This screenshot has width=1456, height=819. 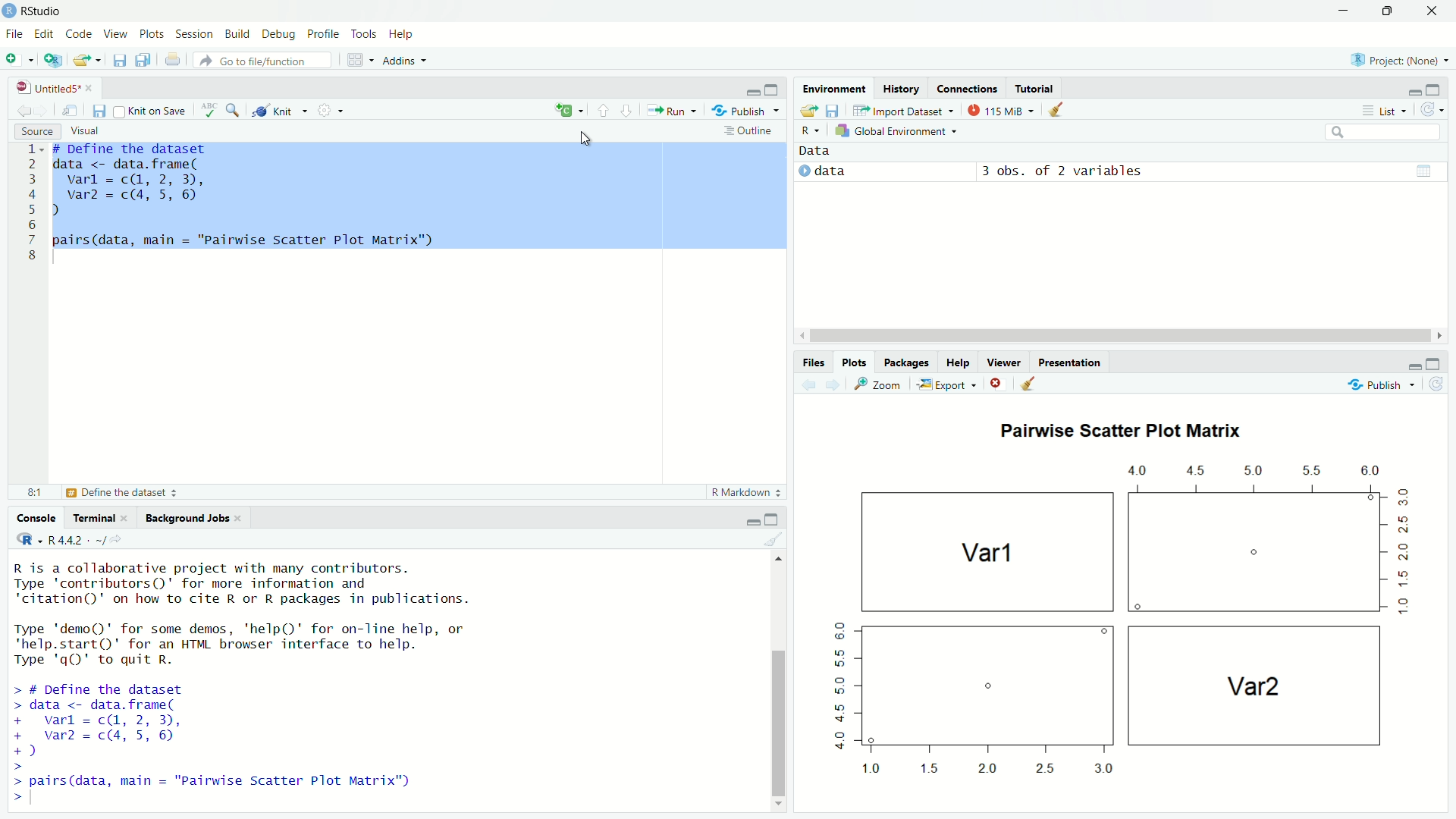 I want to click on Clear console (Ctrl +L), so click(x=1026, y=383).